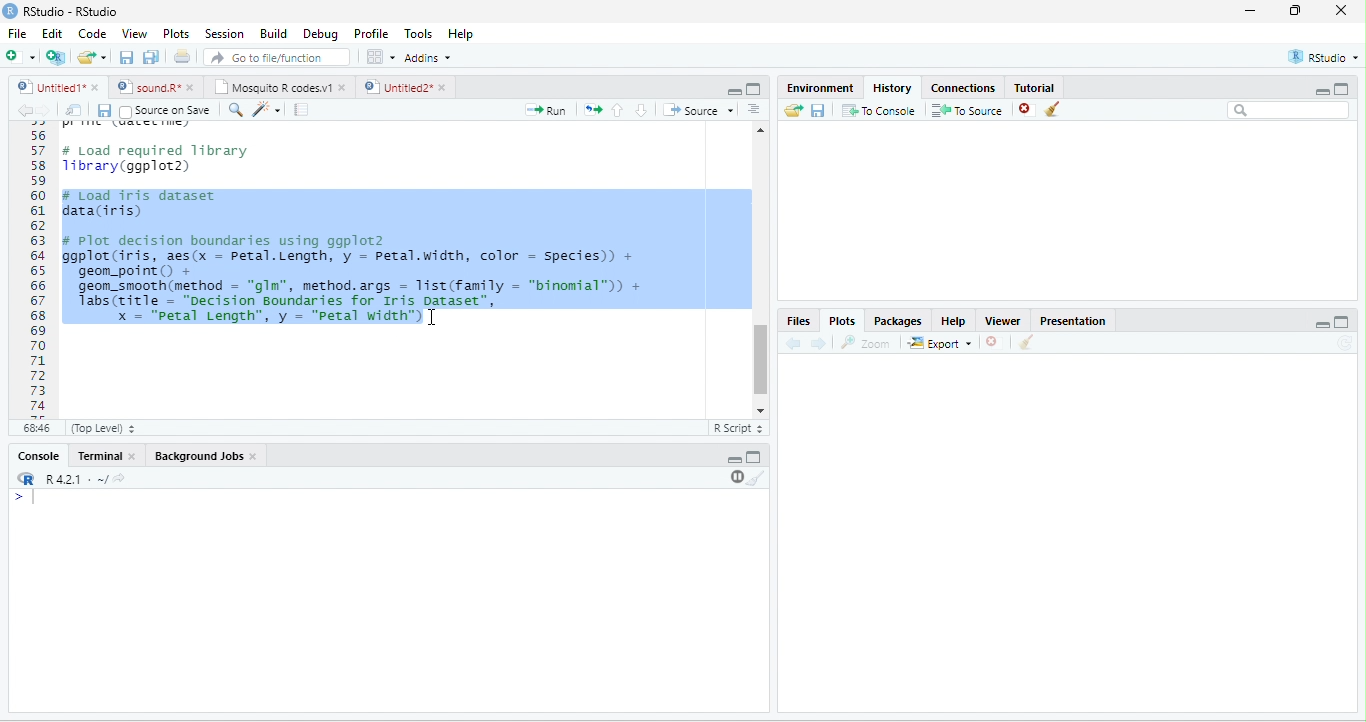 This screenshot has height=722, width=1366. Describe the element at coordinates (197, 456) in the screenshot. I see `Background Jobs` at that location.